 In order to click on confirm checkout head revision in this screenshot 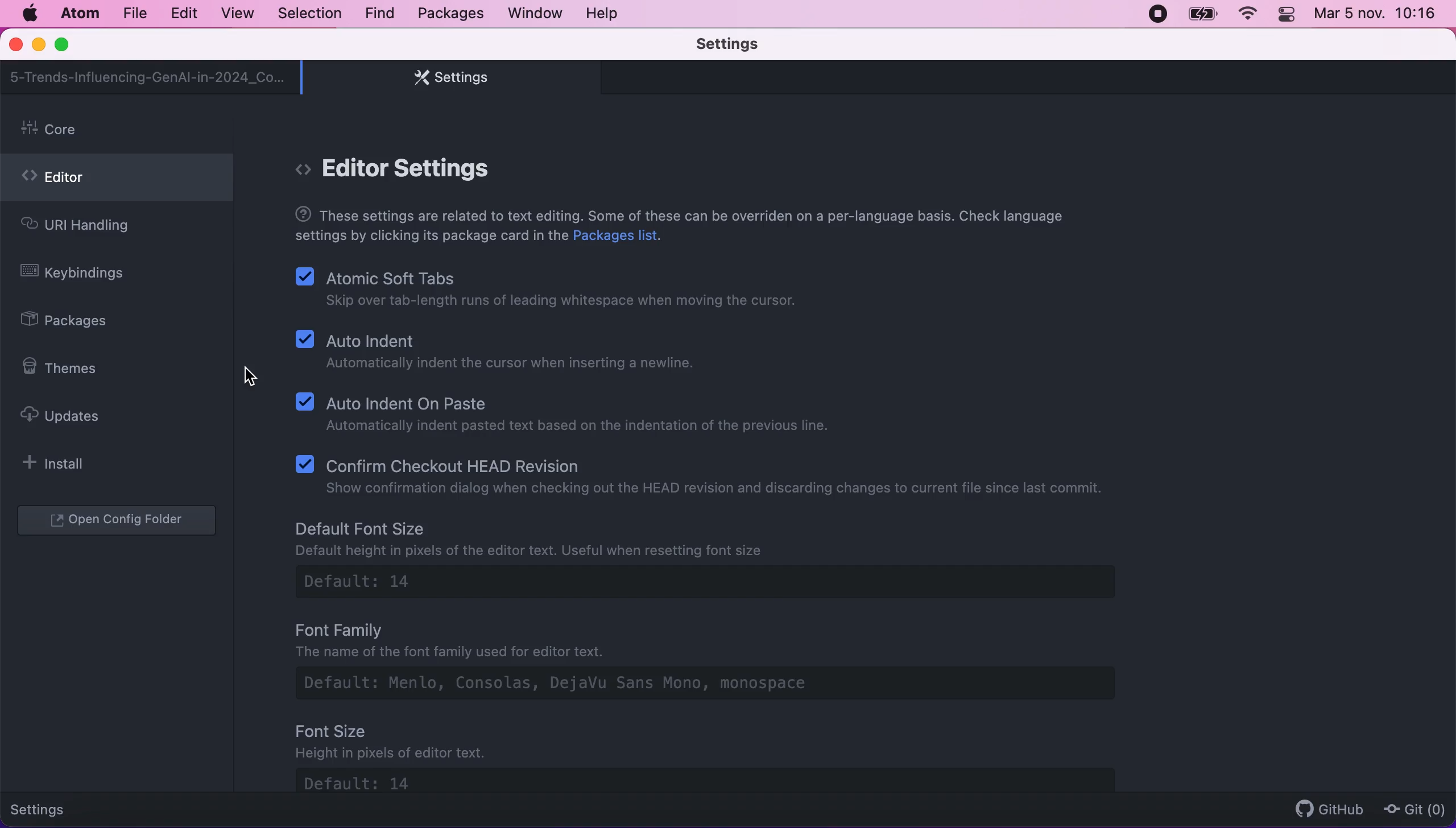, I will do `click(707, 474)`.